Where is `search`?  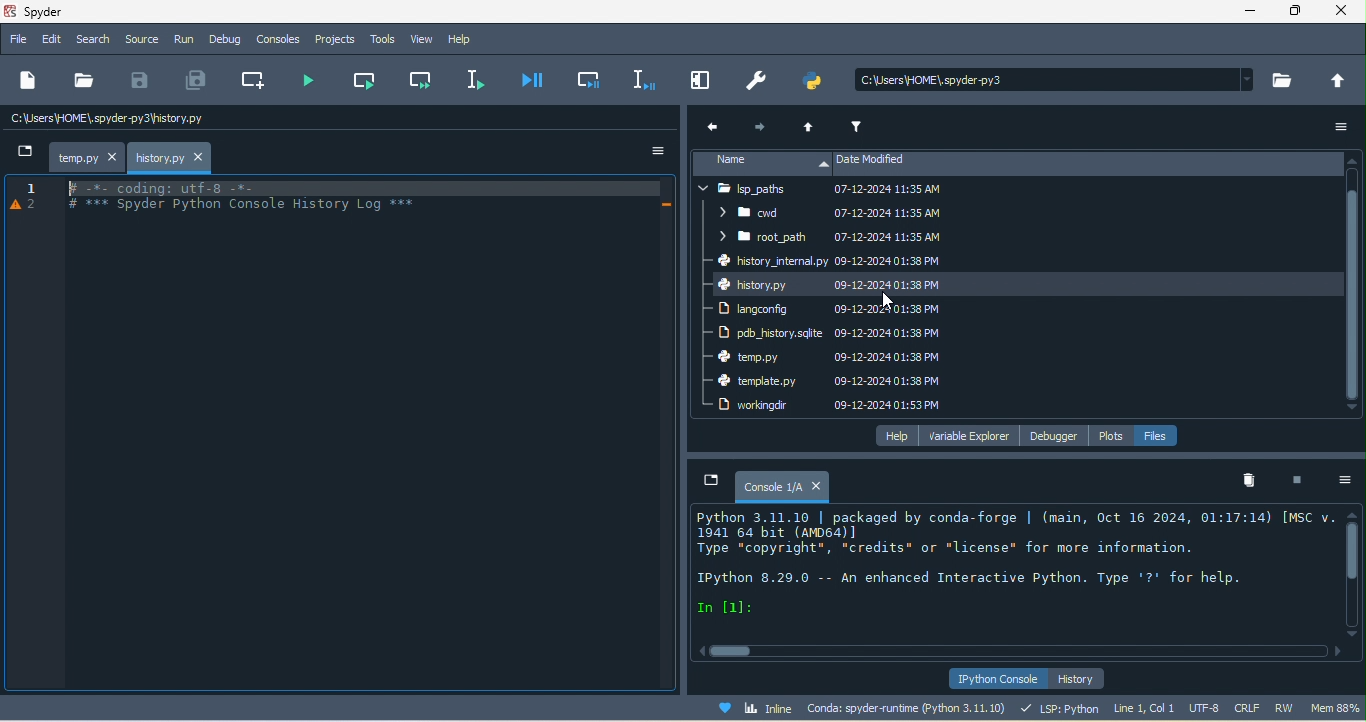 search is located at coordinates (92, 38).